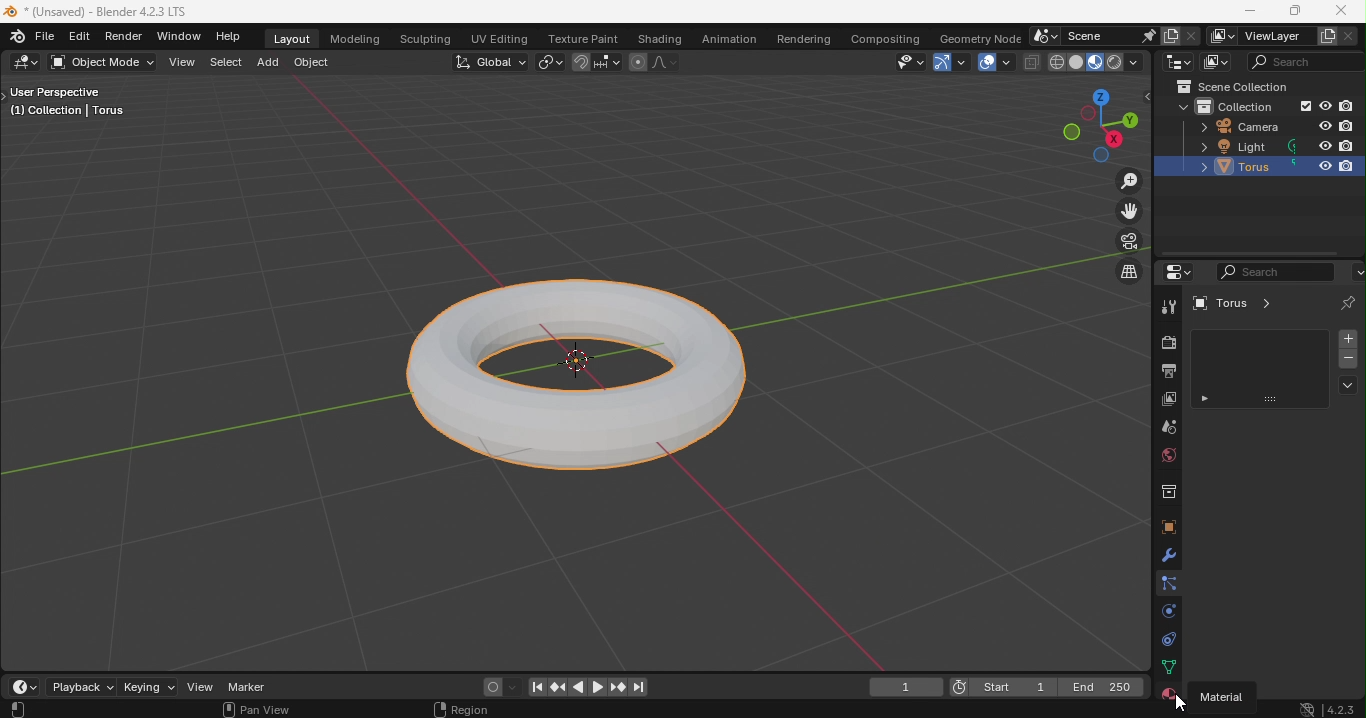 This screenshot has width=1366, height=718. I want to click on View layer, so click(1271, 35).